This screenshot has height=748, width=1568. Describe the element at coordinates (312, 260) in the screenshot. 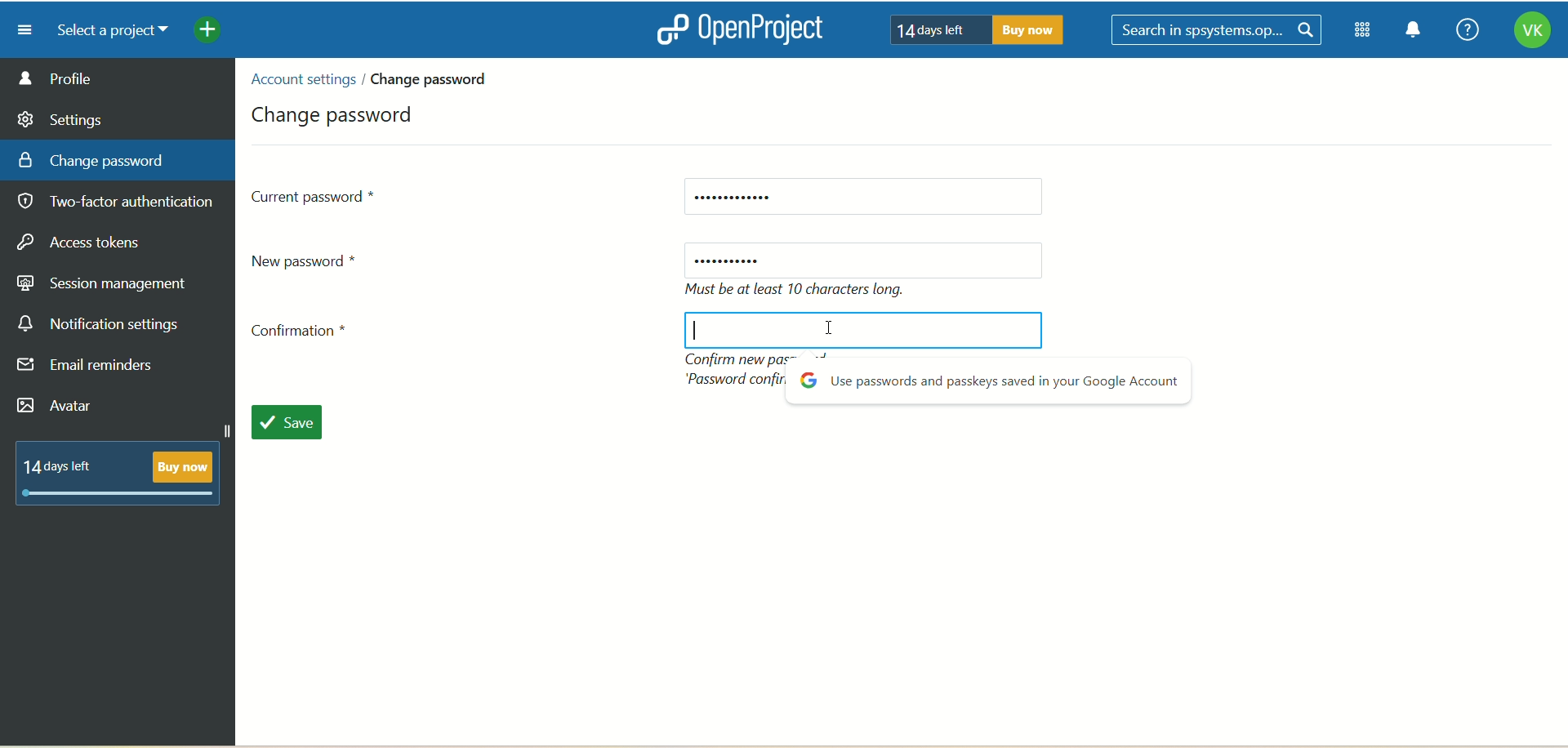

I see `new password` at that location.